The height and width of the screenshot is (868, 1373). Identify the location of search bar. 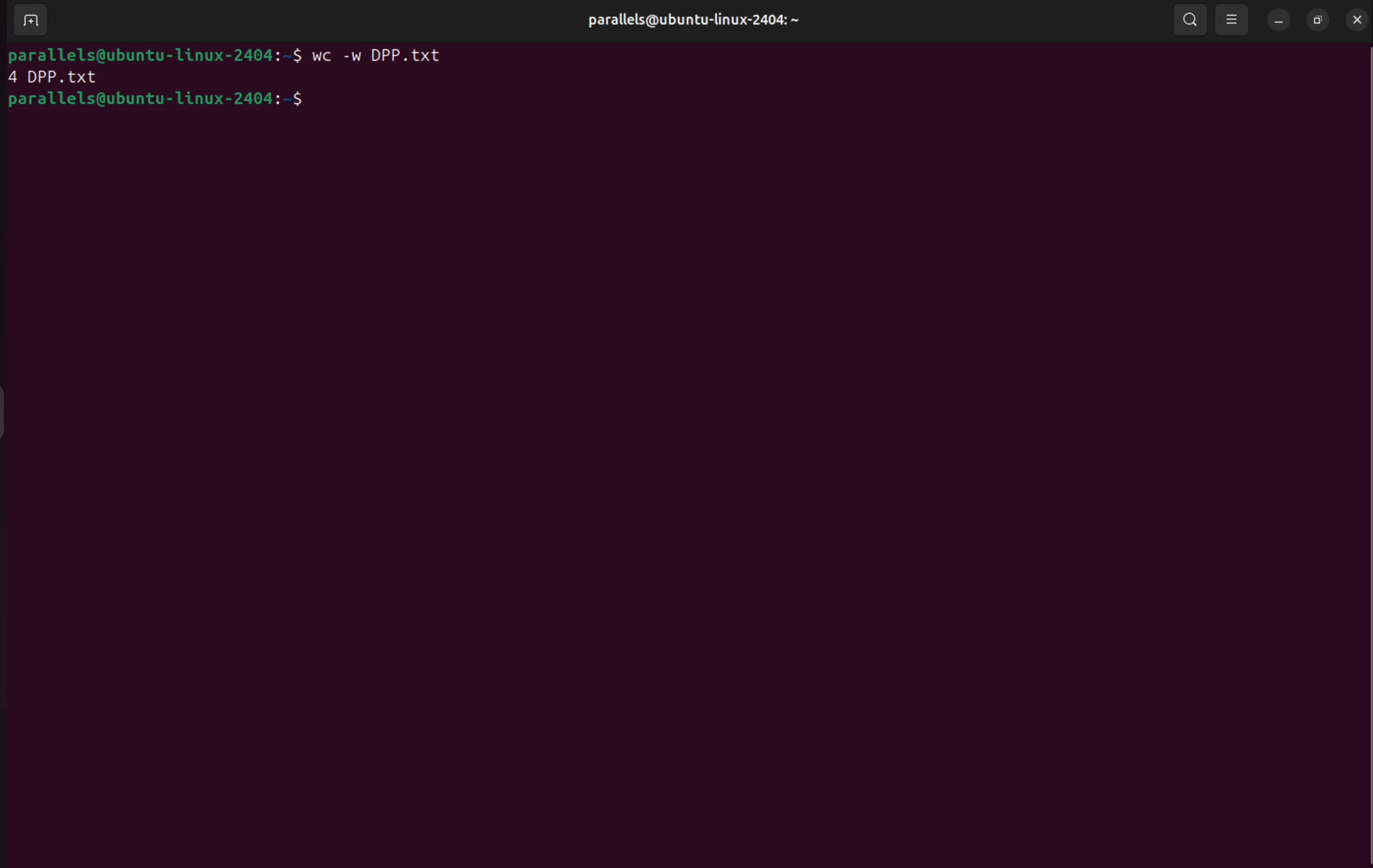
(1191, 21).